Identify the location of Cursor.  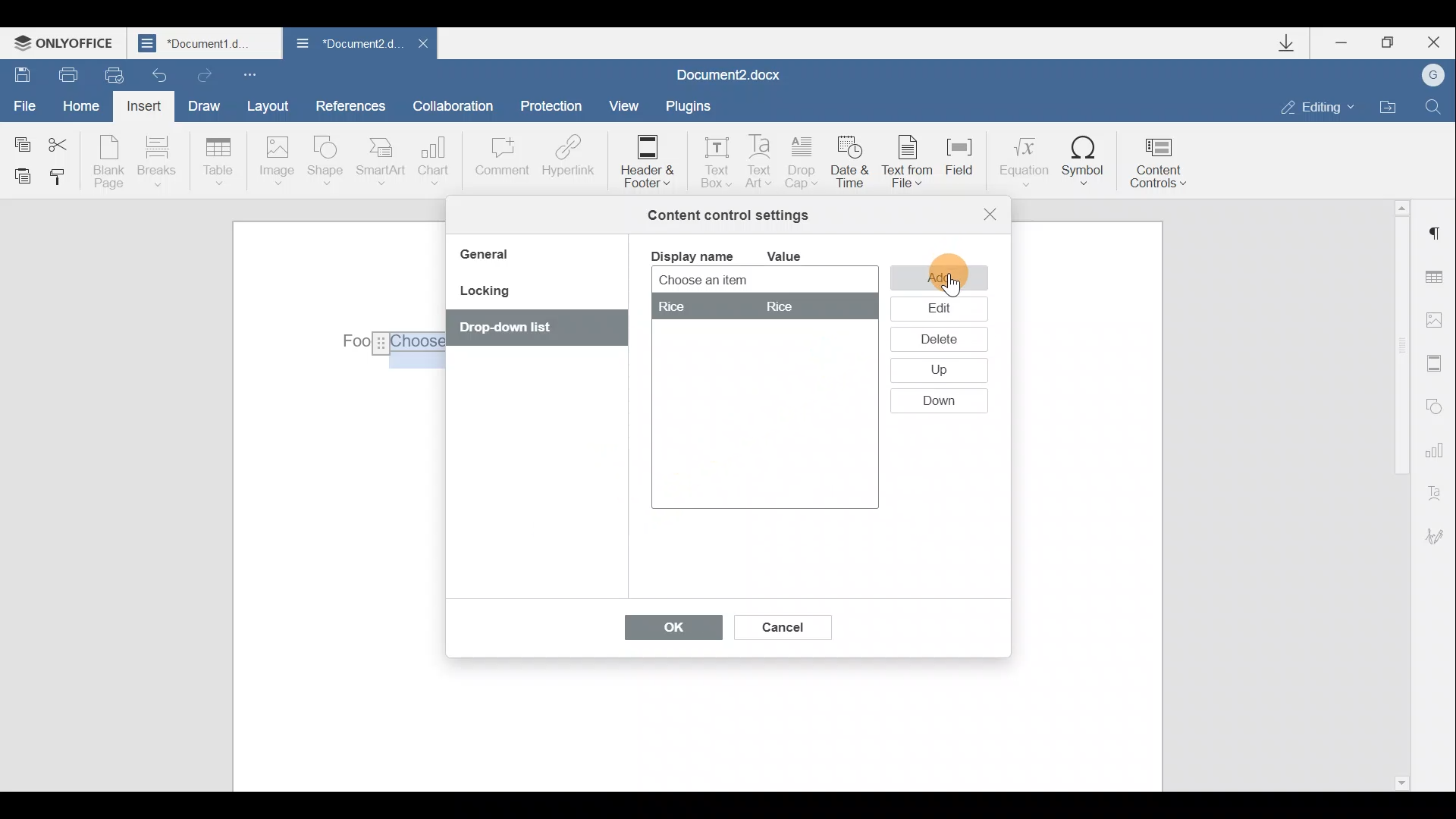
(951, 283).